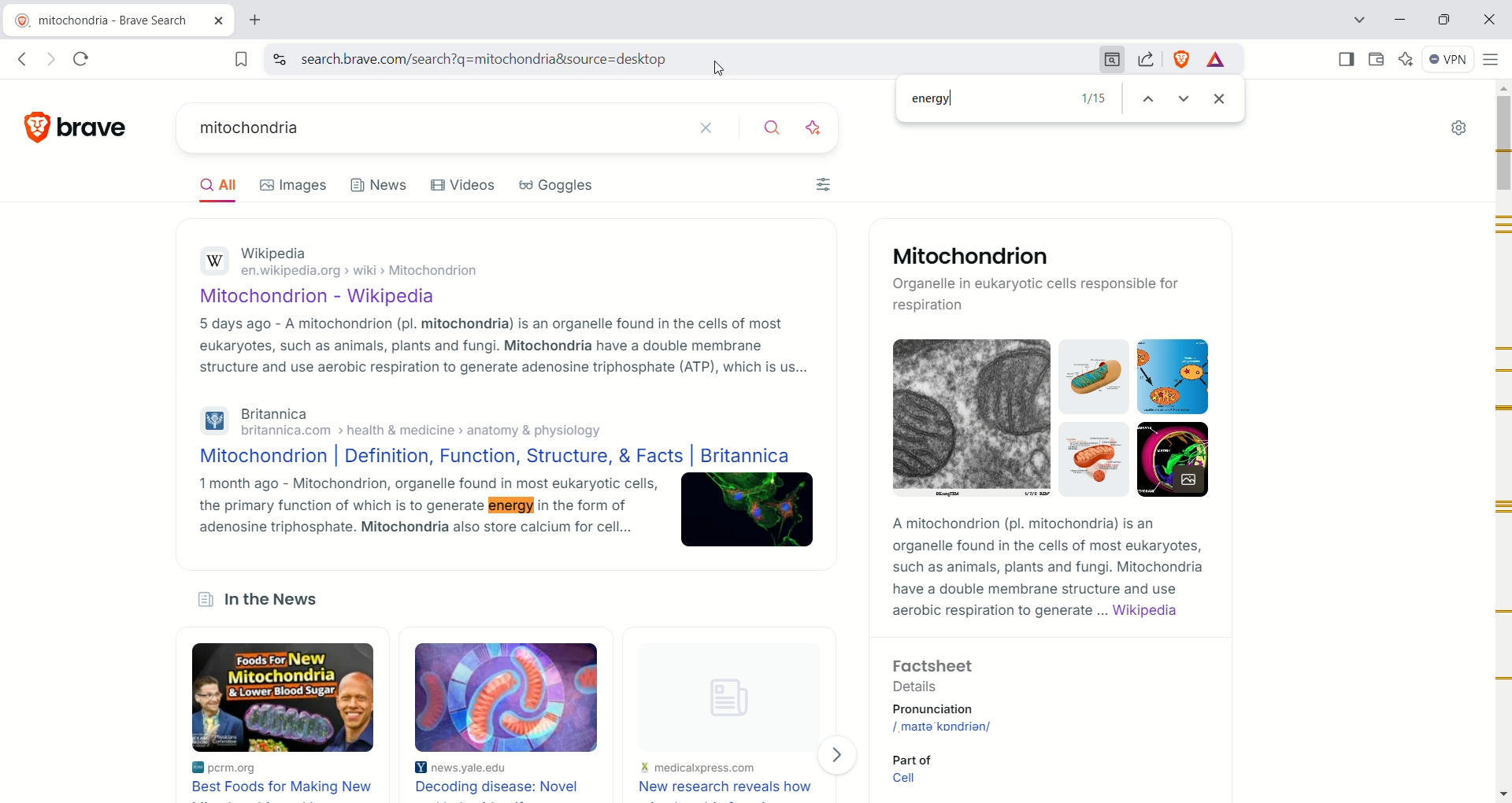 The image size is (1512, 803). Describe the element at coordinates (22, 59) in the screenshot. I see `click to go back,  hold to see history` at that location.